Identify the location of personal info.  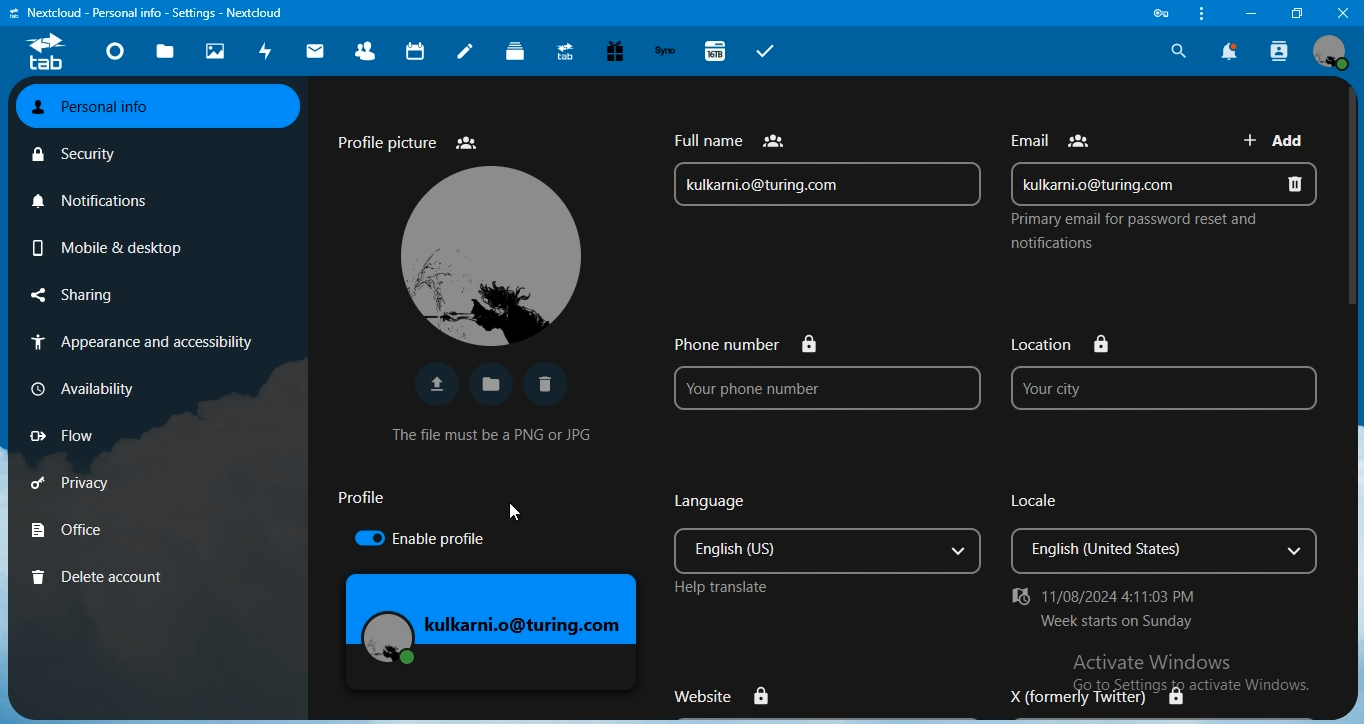
(159, 108).